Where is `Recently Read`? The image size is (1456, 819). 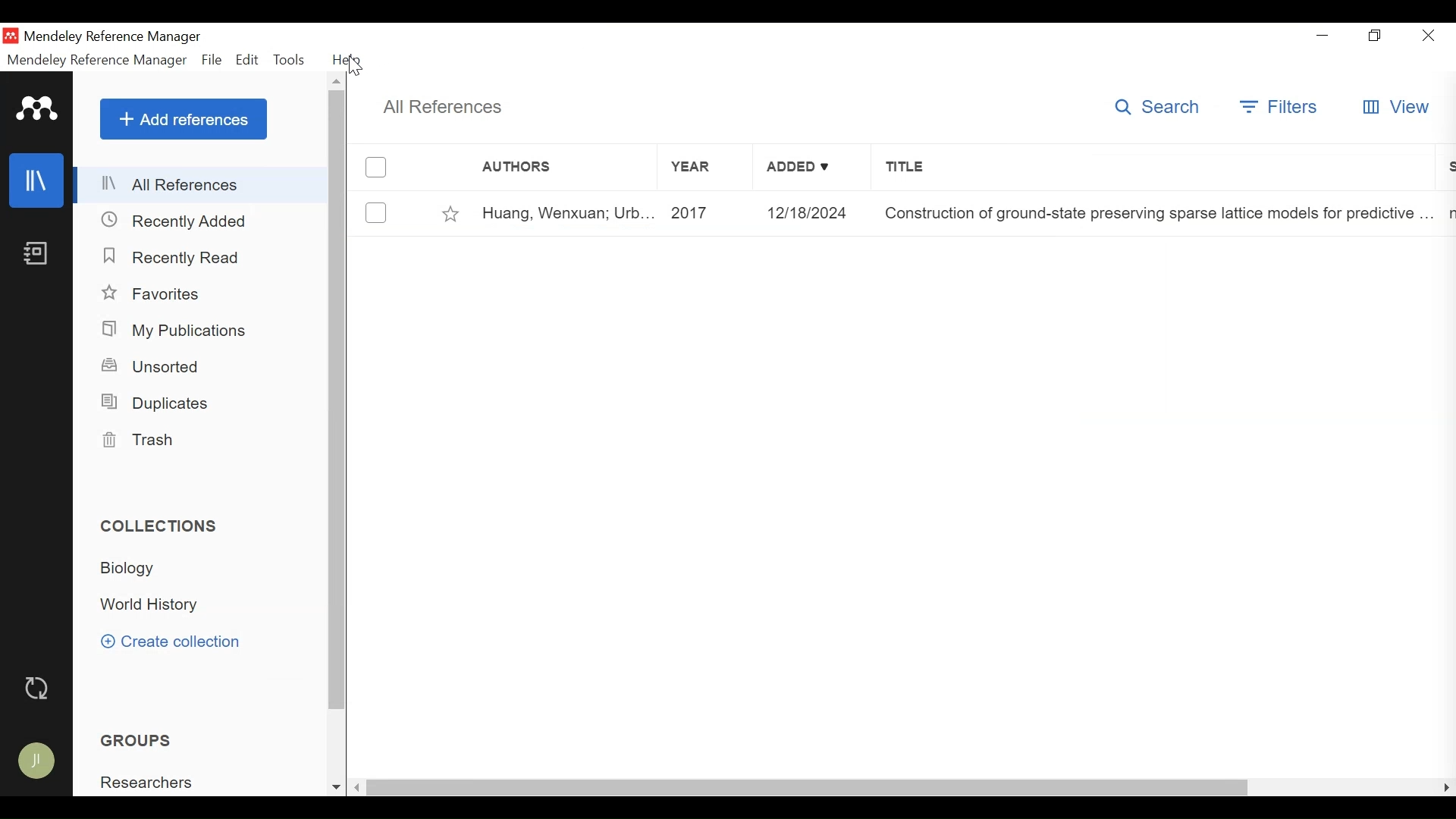
Recently Read is located at coordinates (171, 256).